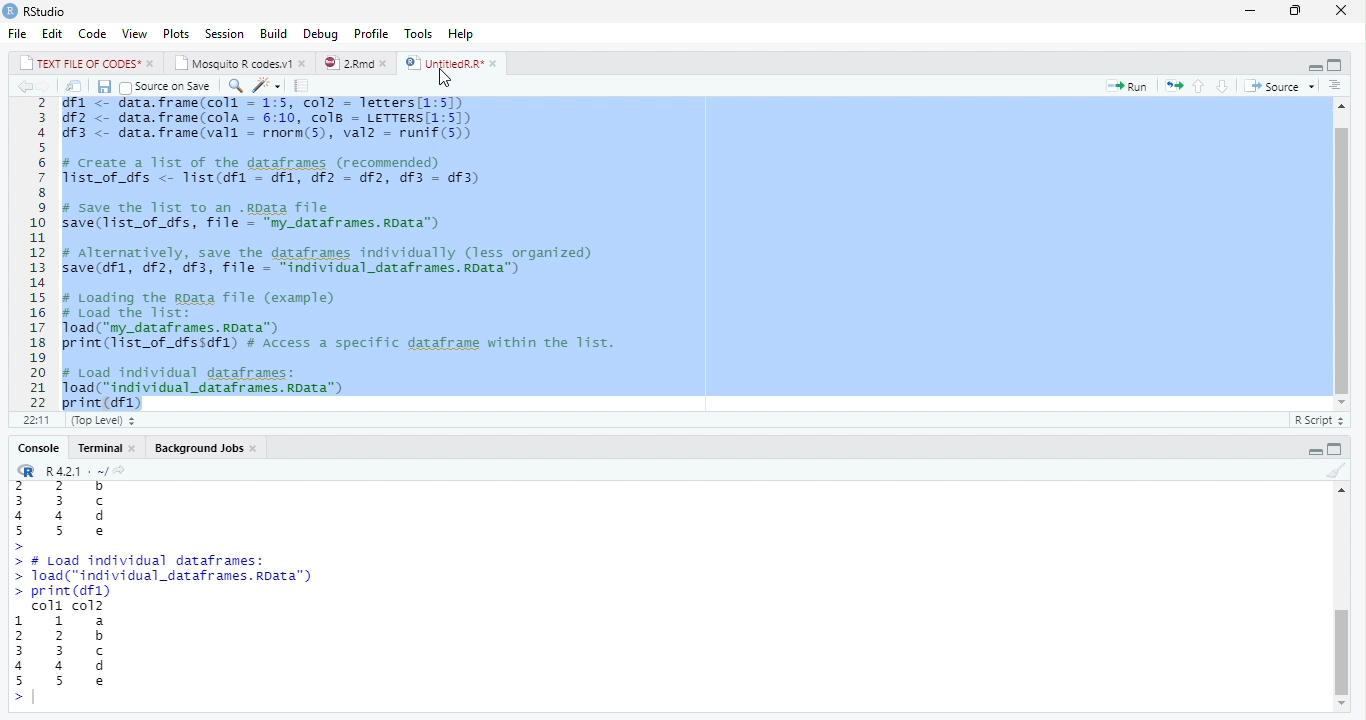  Describe the element at coordinates (1128, 86) in the screenshot. I see `Run current line` at that location.